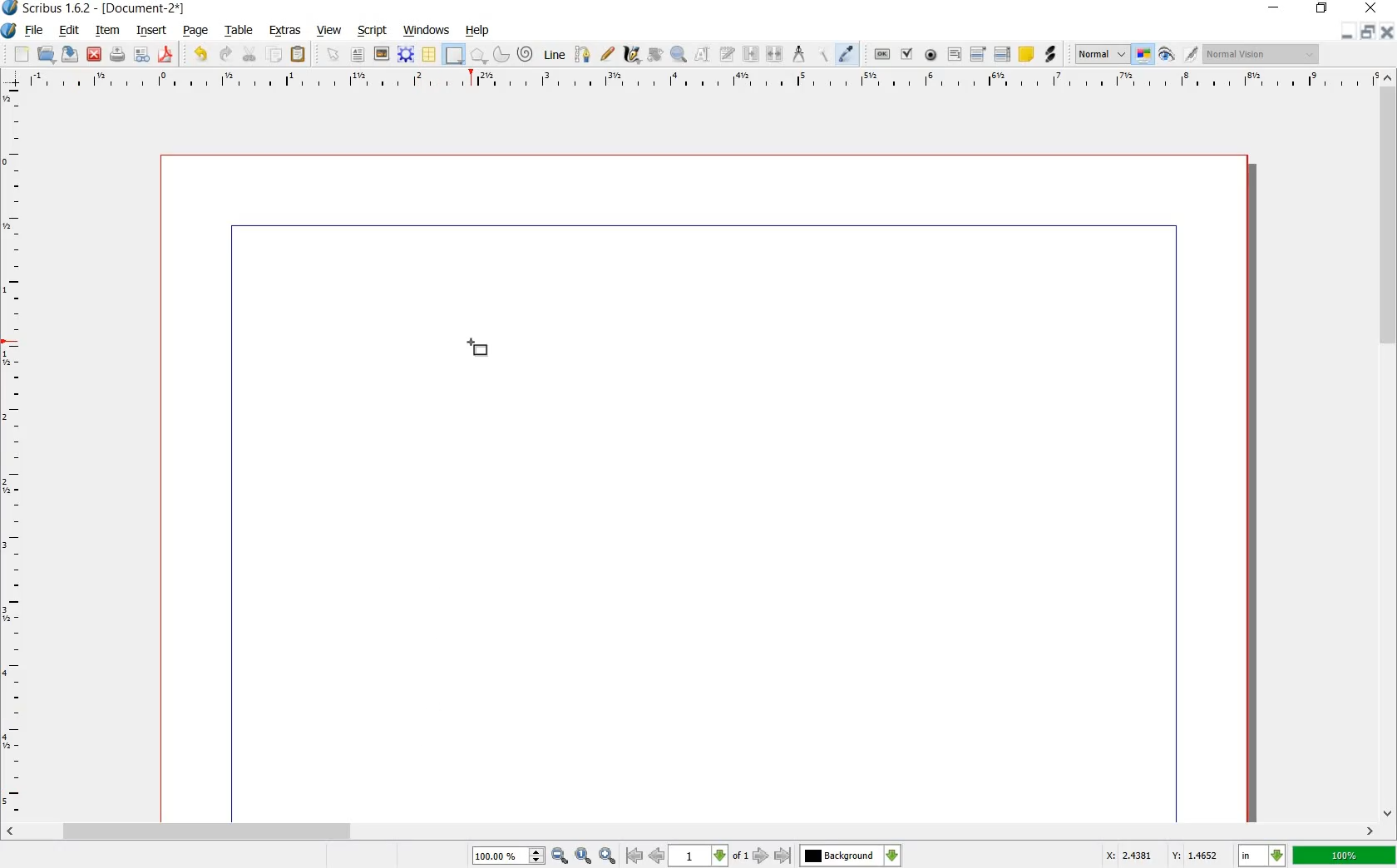 This screenshot has height=868, width=1397. What do you see at coordinates (168, 55) in the screenshot?
I see `SAVE AS PDF` at bounding box center [168, 55].